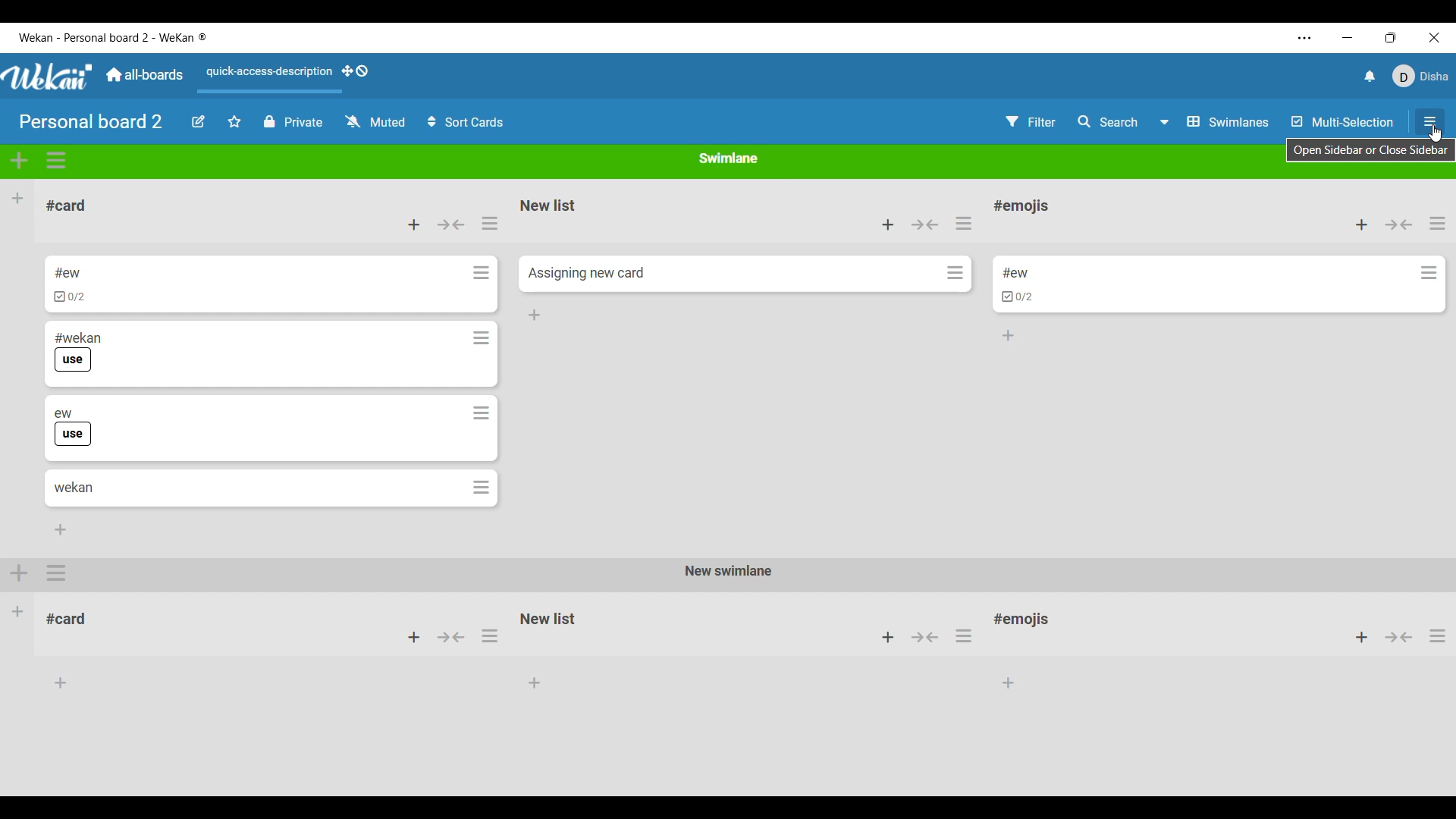 This screenshot has width=1456, height=819. What do you see at coordinates (414, 224) in the screenshot?
I see `Add card to top of list` at bounding box center [414, 224].